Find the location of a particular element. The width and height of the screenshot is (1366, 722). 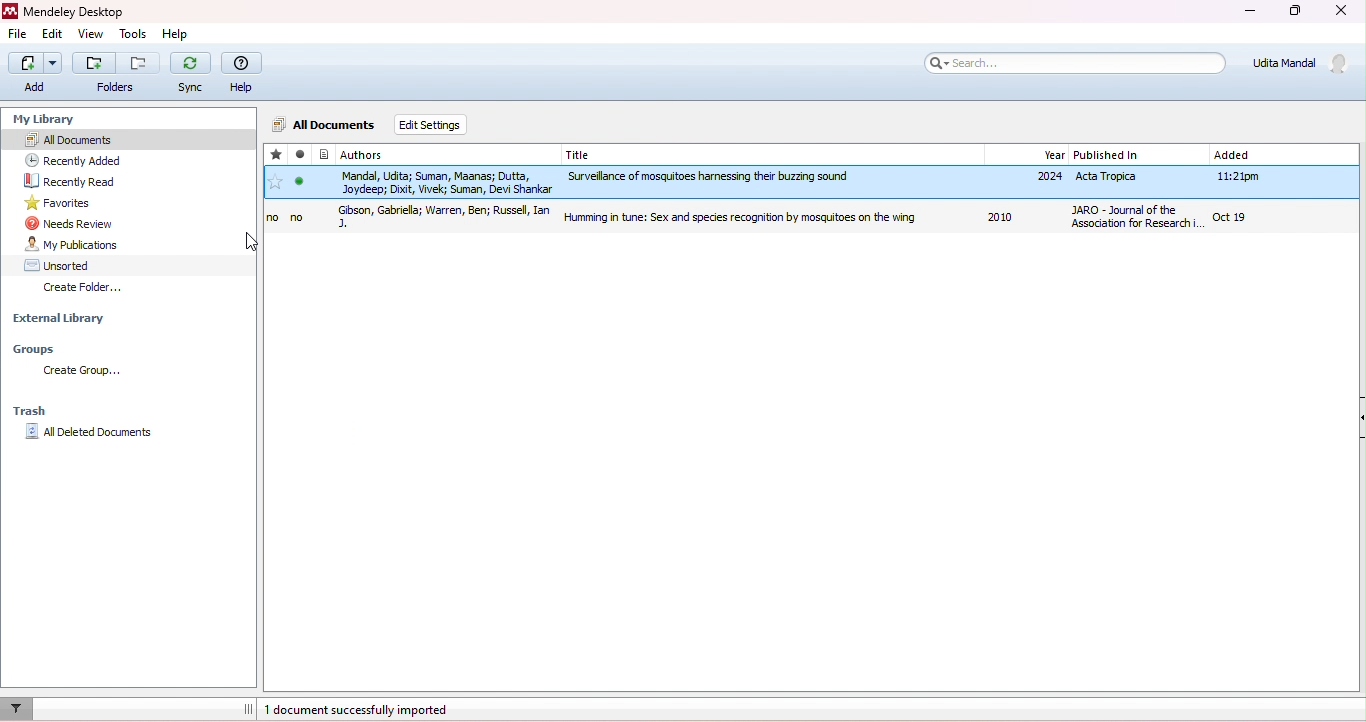

no is located at coordinates (273, 218).